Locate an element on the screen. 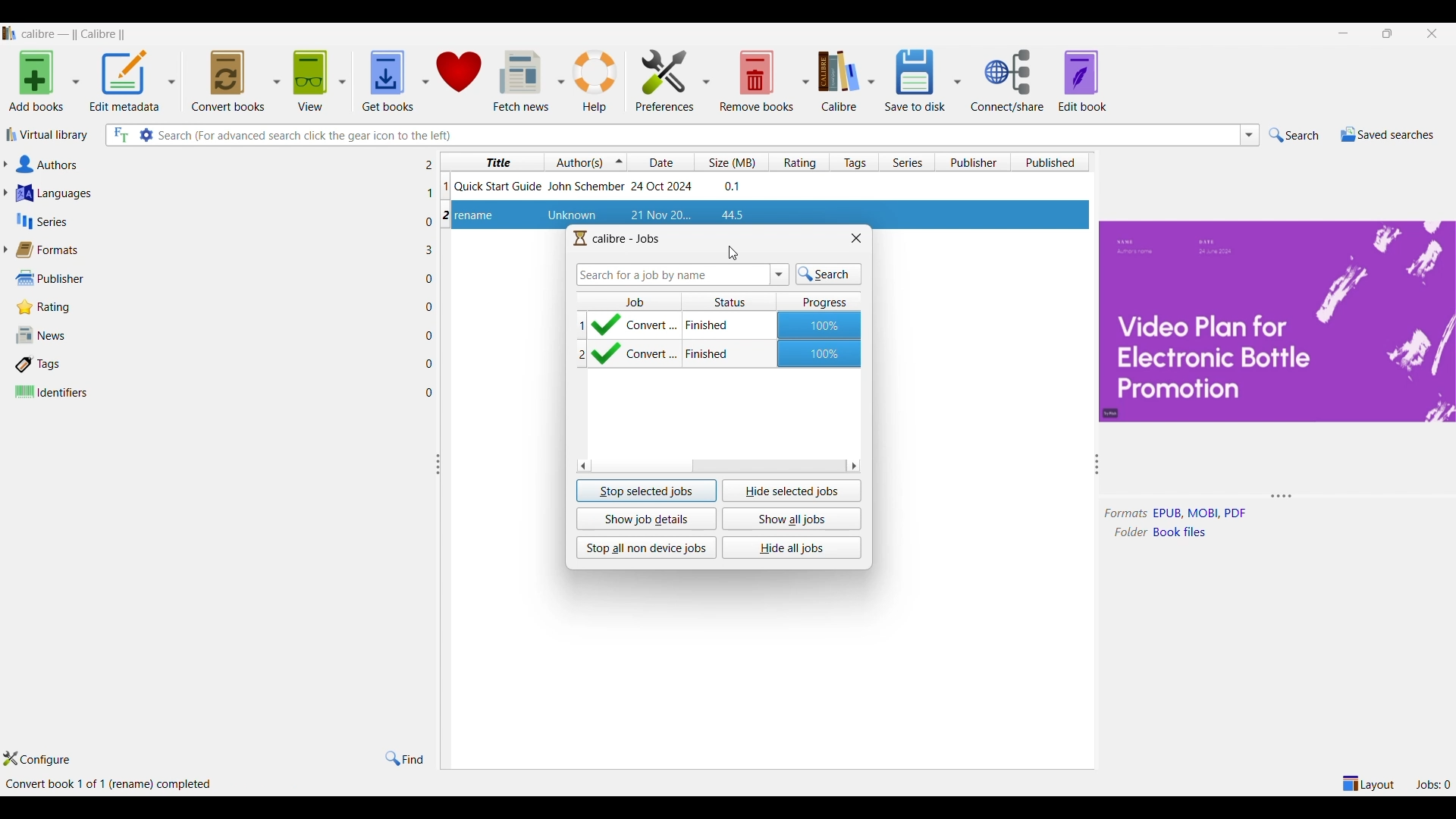  Authors is located at coordinates (215, 165).